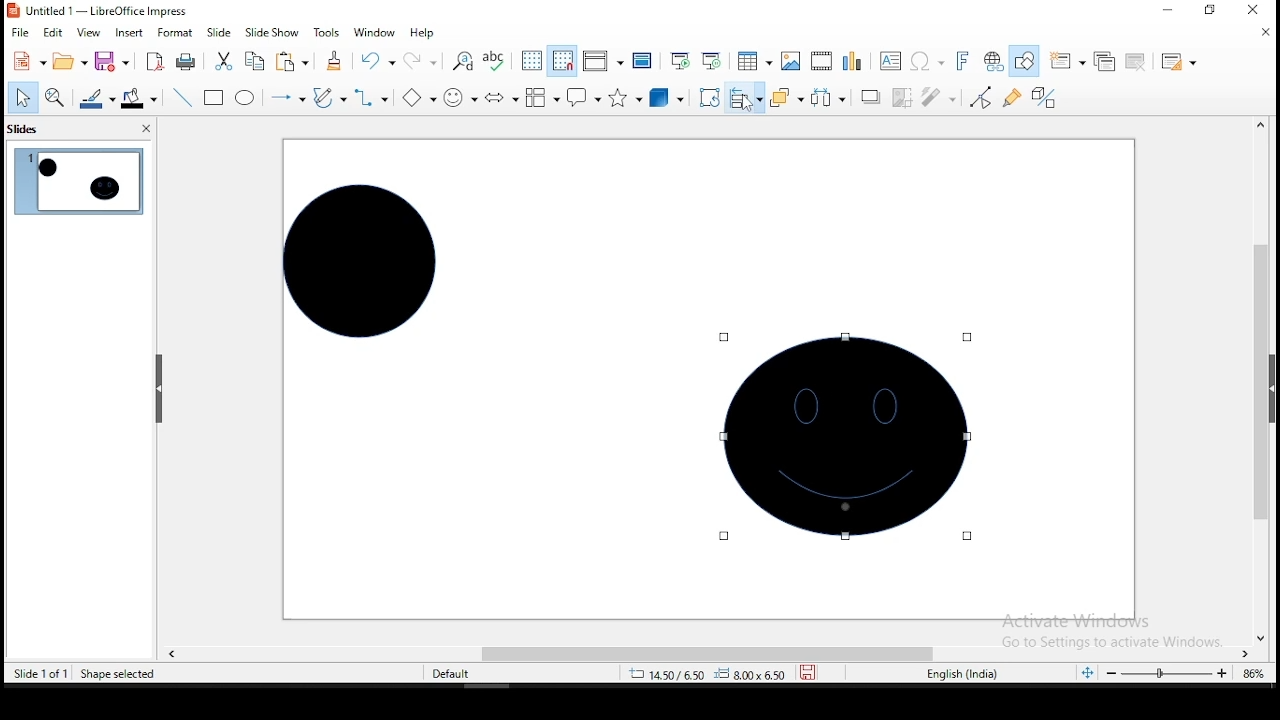 This screenshot has width=1280, height=720. I want to click on paste, so click(292, 63).